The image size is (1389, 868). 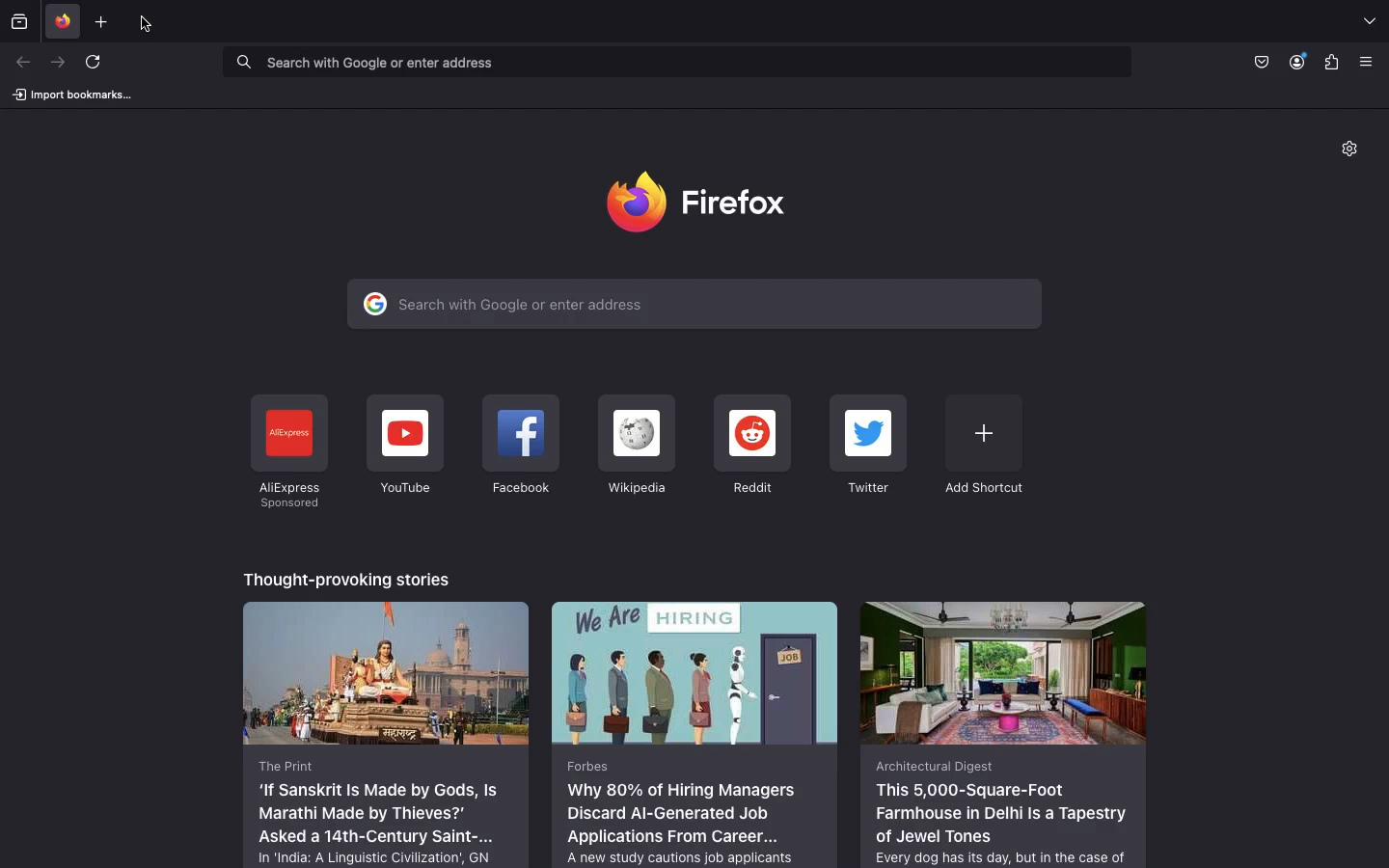 What do you see at coordinates (105, 22) in the screenshot?
I see `Add new tab` at bounding box center [105, 22].